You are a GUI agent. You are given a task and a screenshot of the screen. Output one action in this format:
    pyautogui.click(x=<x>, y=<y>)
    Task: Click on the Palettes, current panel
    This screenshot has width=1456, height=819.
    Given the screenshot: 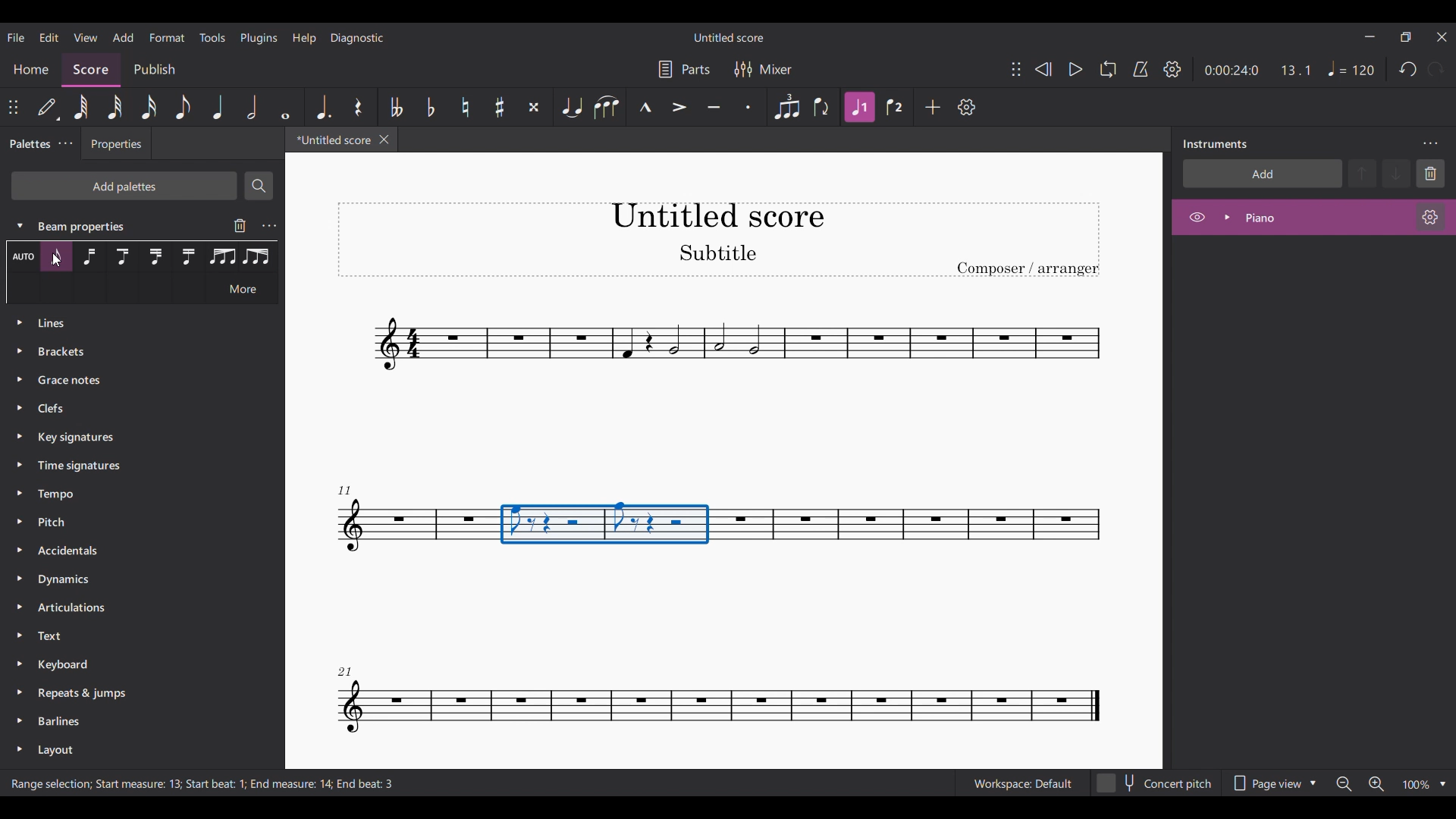 What is the action you would take?
    pyautogui.click(x=27, y=146)
    